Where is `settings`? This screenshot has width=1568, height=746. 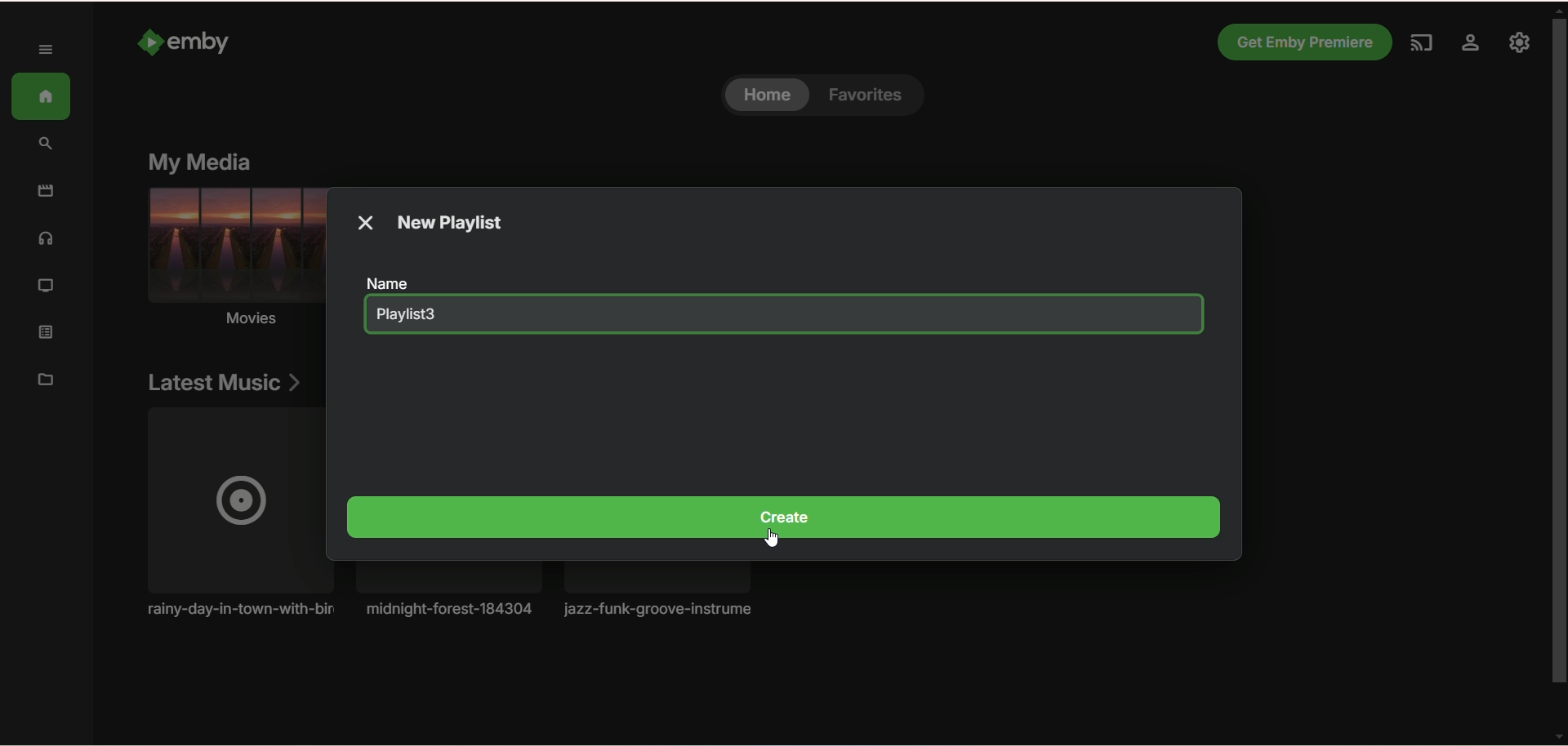
settings is located at coordinates (1469, 45).